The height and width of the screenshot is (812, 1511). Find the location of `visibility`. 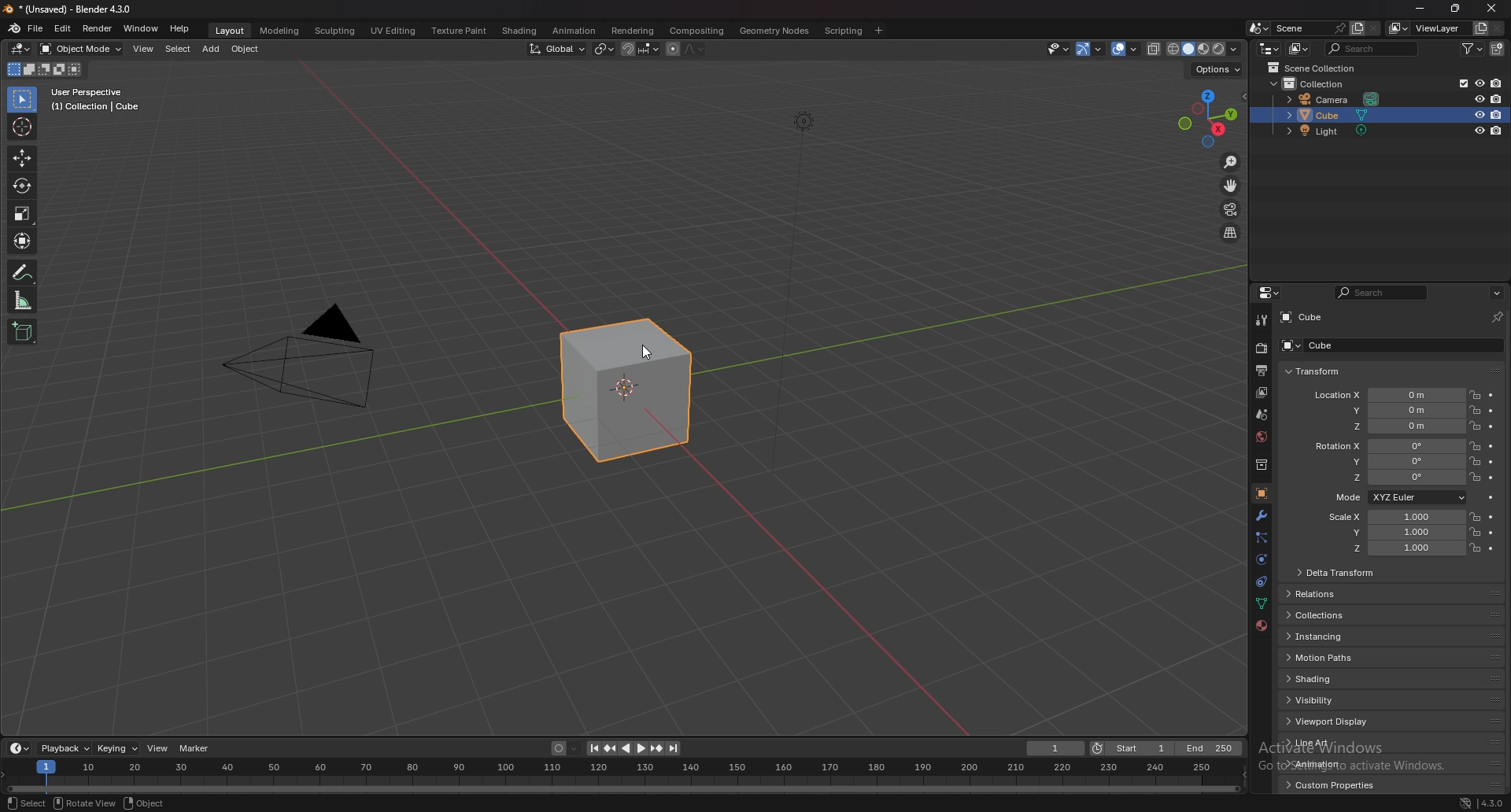

visibility is located at coordinates (1332, 699).